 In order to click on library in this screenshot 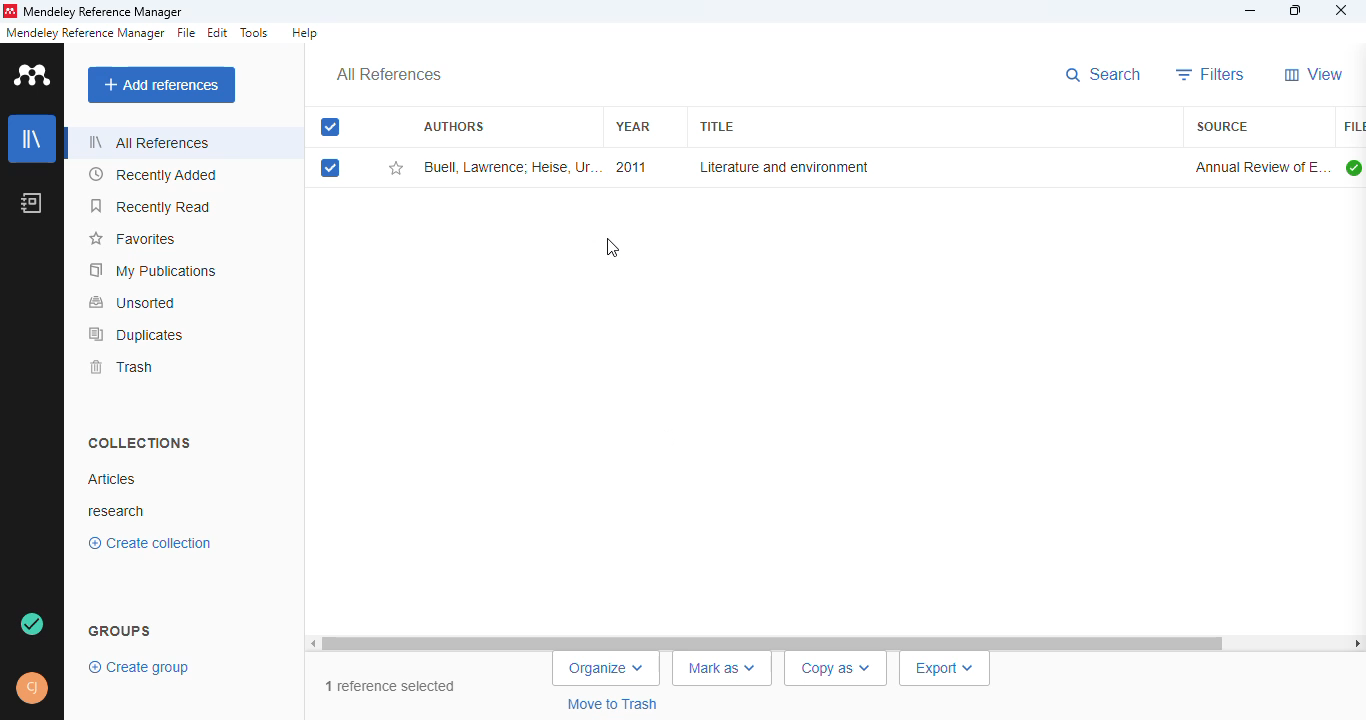, I will do `click(31, 139)`.